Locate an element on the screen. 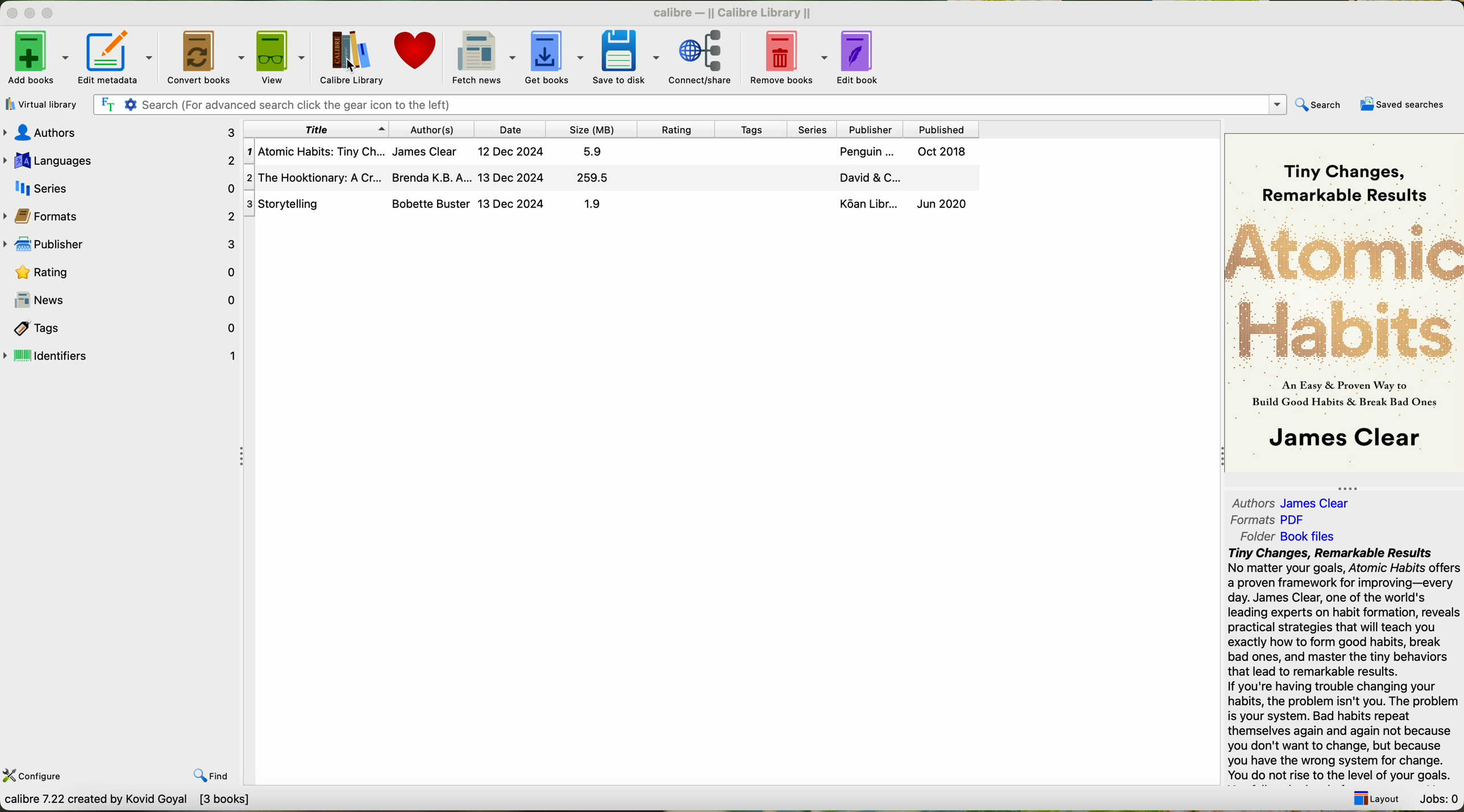 Image resolution: width=1464 pixels, height=812 pixels. author(s) is located at coordinates (432, 130).